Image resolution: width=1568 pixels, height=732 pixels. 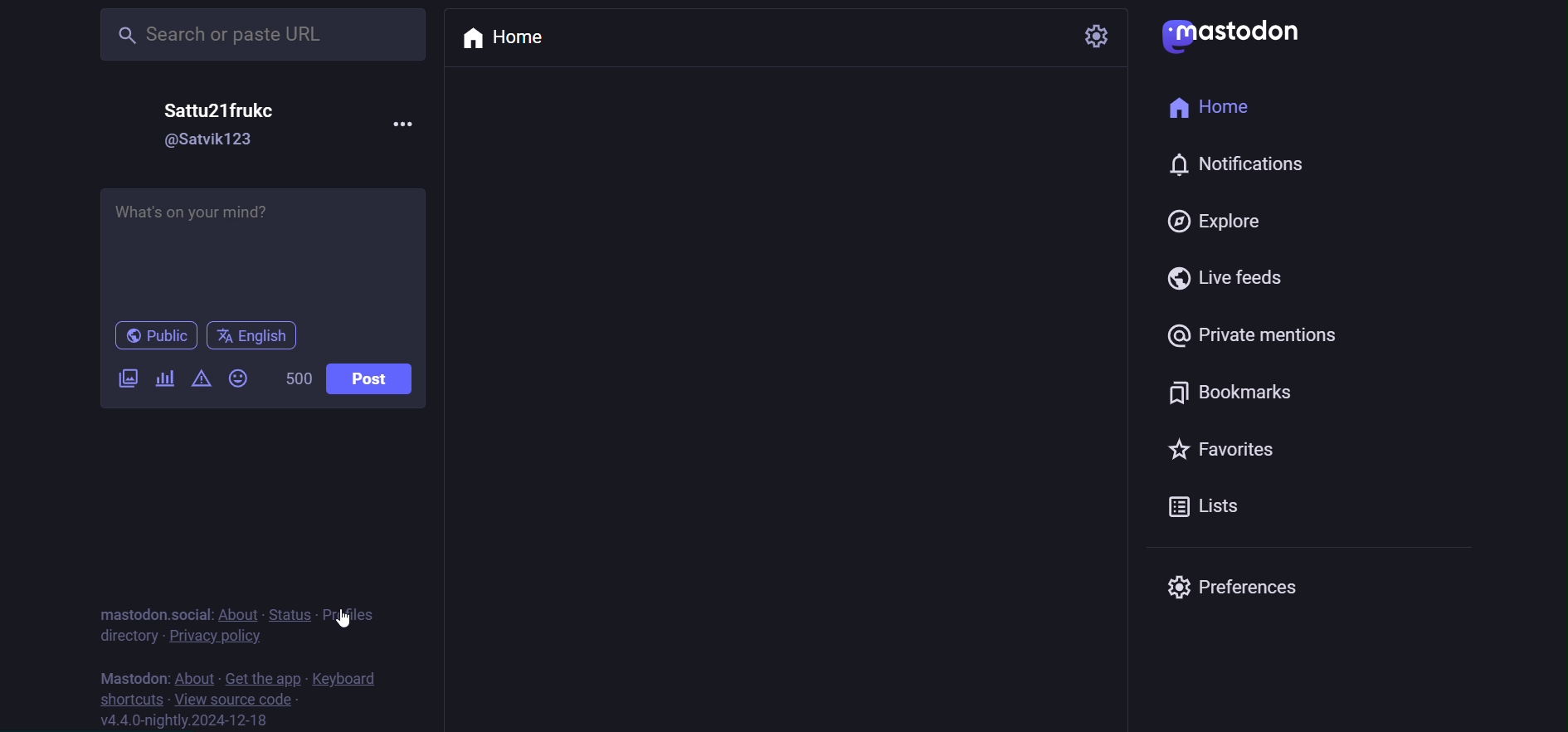 What do you see at coordinates (162, 377) in the screenshot?
I see `poll` at bounding box center [162, 377].